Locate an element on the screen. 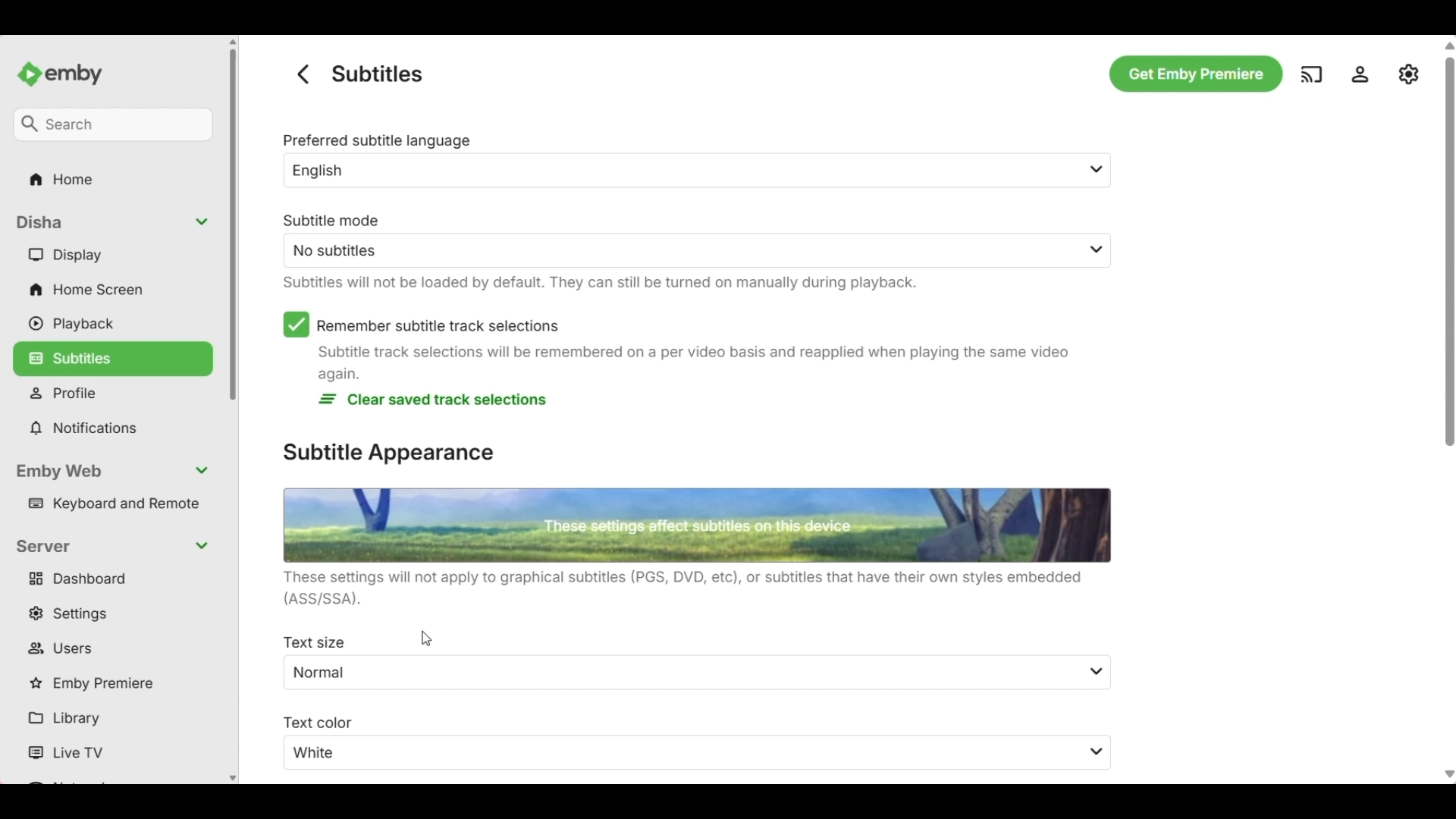 Image resolution: width=1456 pixels, height=819 pixels. List options in respective boxes is located at coordinates (1103, 171).